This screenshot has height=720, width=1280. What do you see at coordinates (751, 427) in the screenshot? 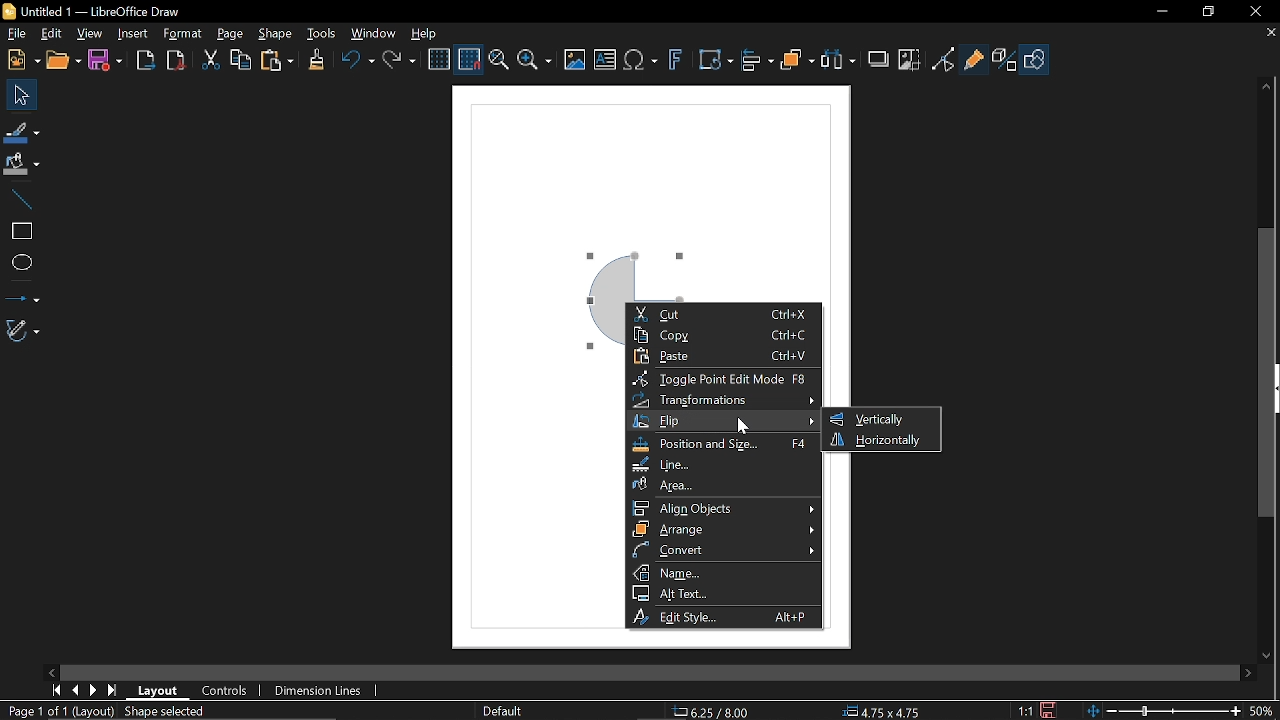
I see `cursor` at bounding box center [751, 427].